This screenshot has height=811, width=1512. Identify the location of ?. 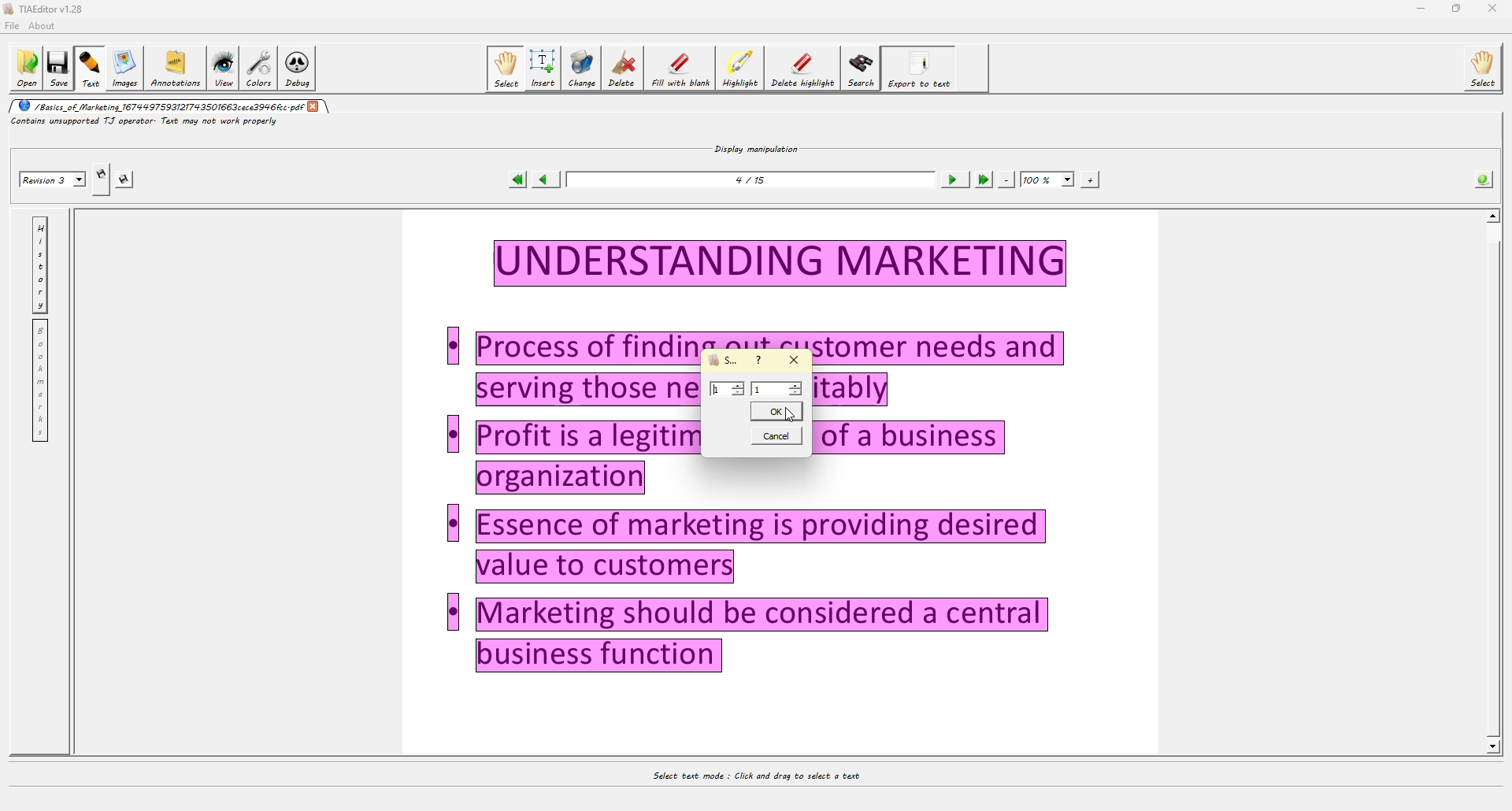
(757, 359).